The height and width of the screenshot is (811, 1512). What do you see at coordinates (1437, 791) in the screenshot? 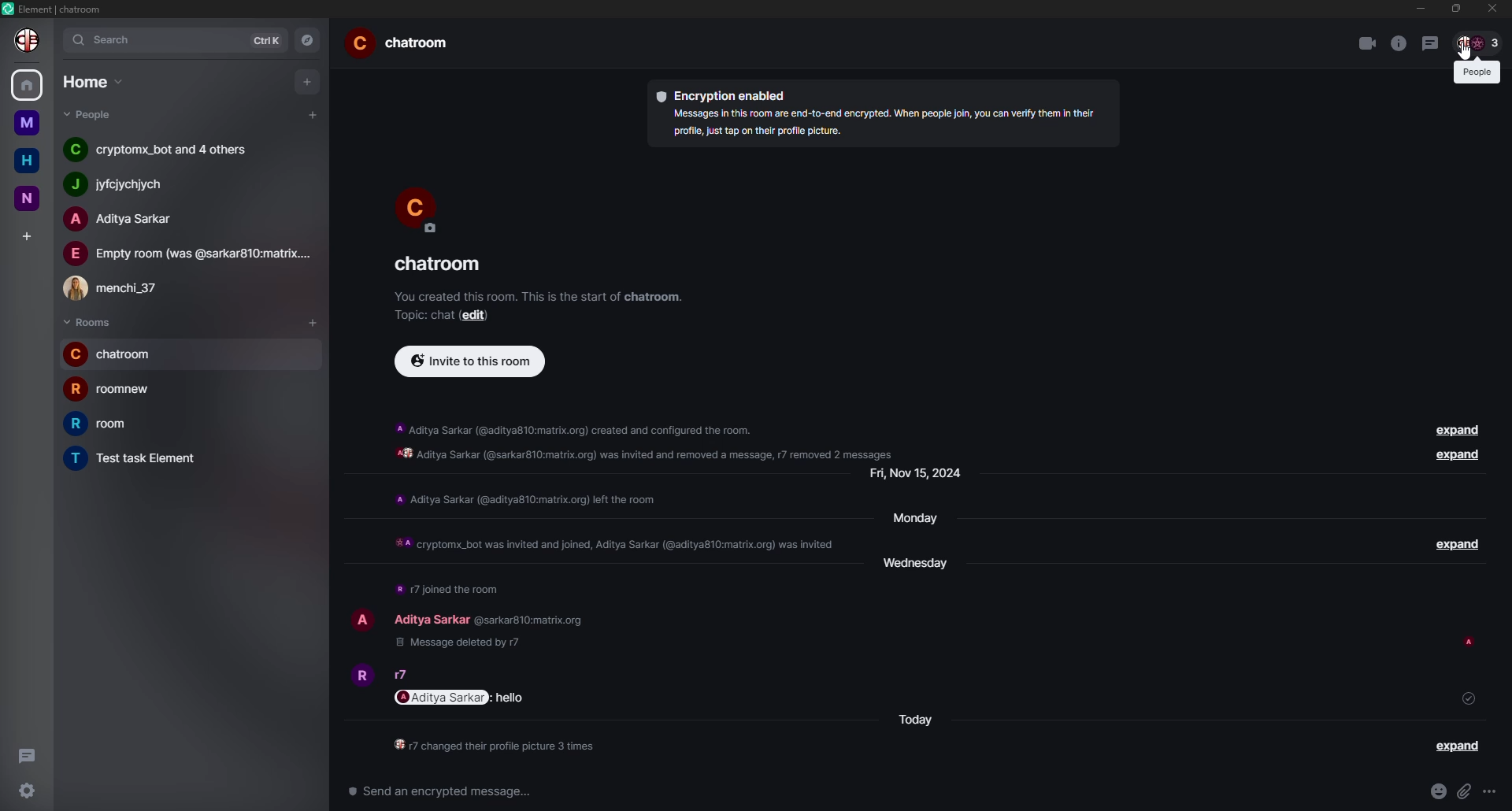
I see `emoji` at bounding box center [1437, 791].